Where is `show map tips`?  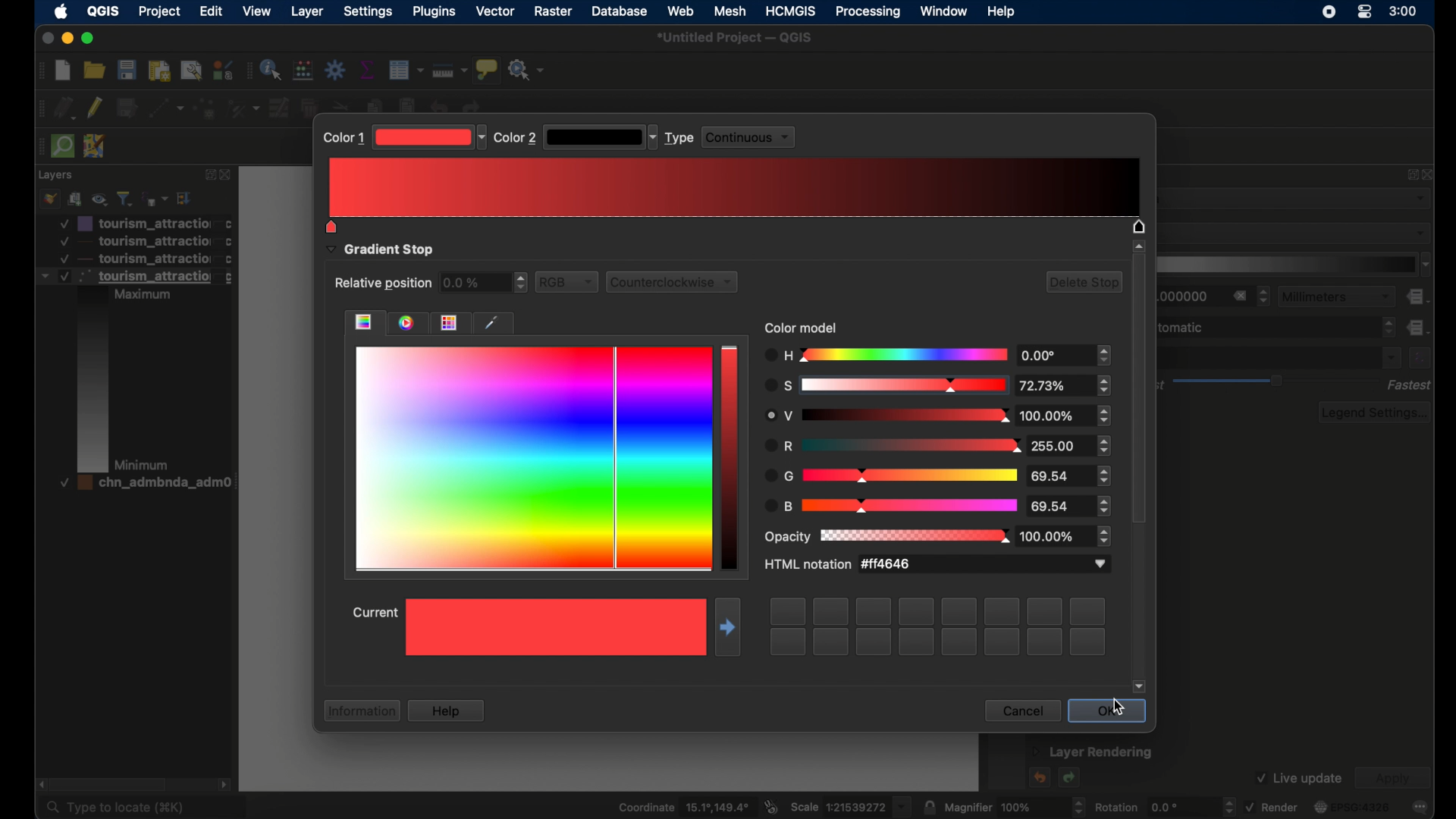 show map tips is located at coordinates (487, 71).